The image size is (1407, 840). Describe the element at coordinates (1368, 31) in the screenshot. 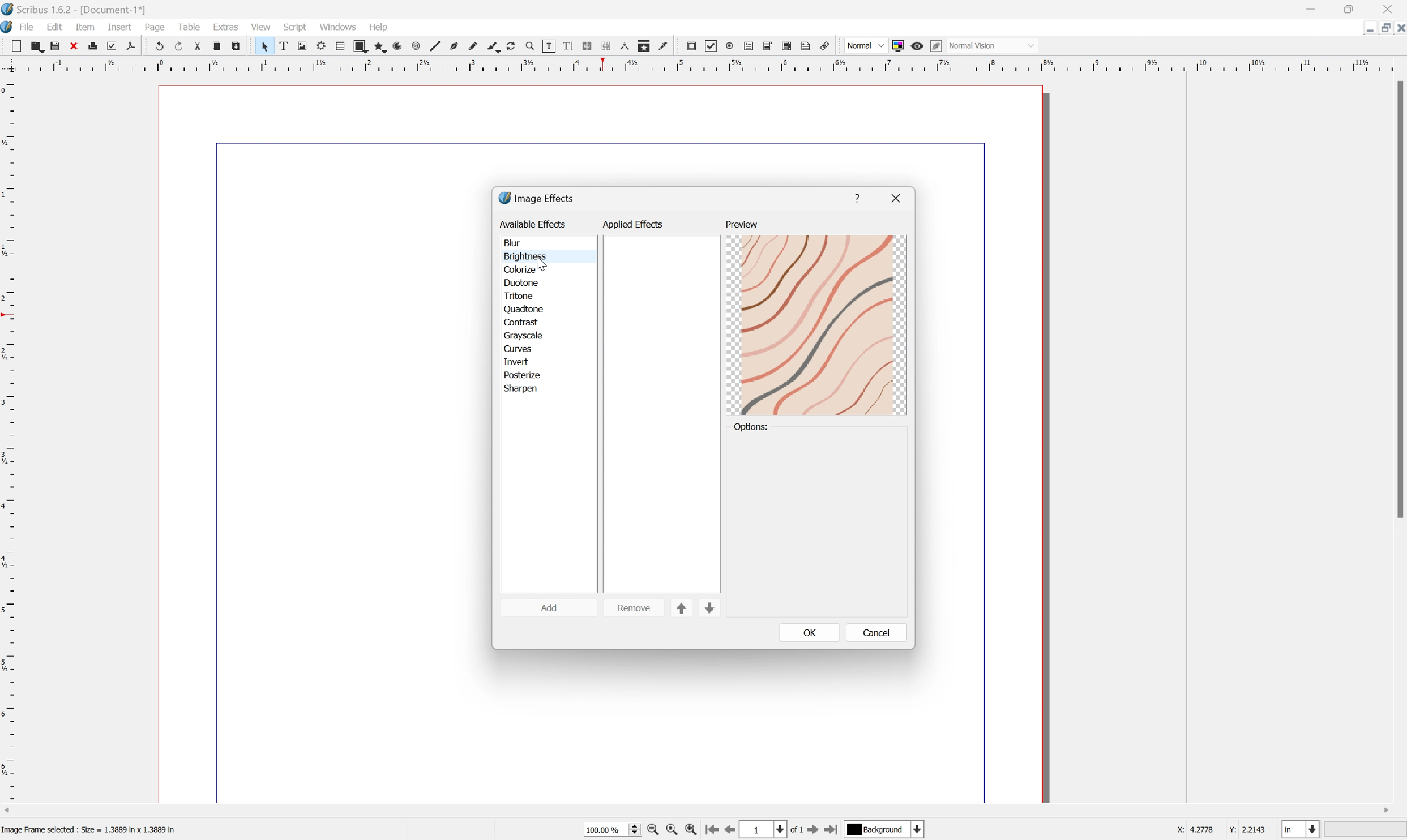

I see `Restore Down` at that location.